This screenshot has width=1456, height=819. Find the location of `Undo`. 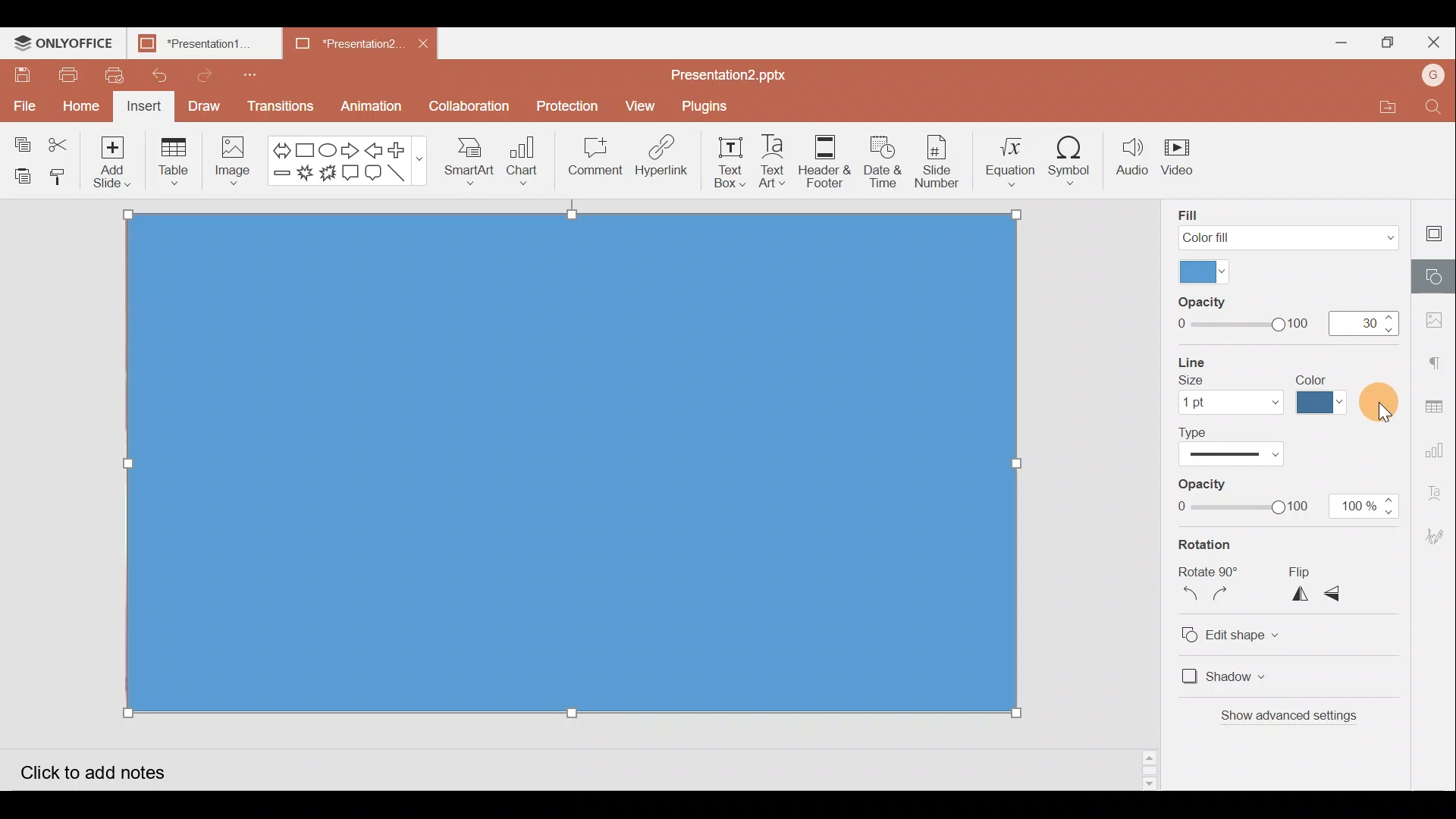

Undo is located at coordinates (160, 76).